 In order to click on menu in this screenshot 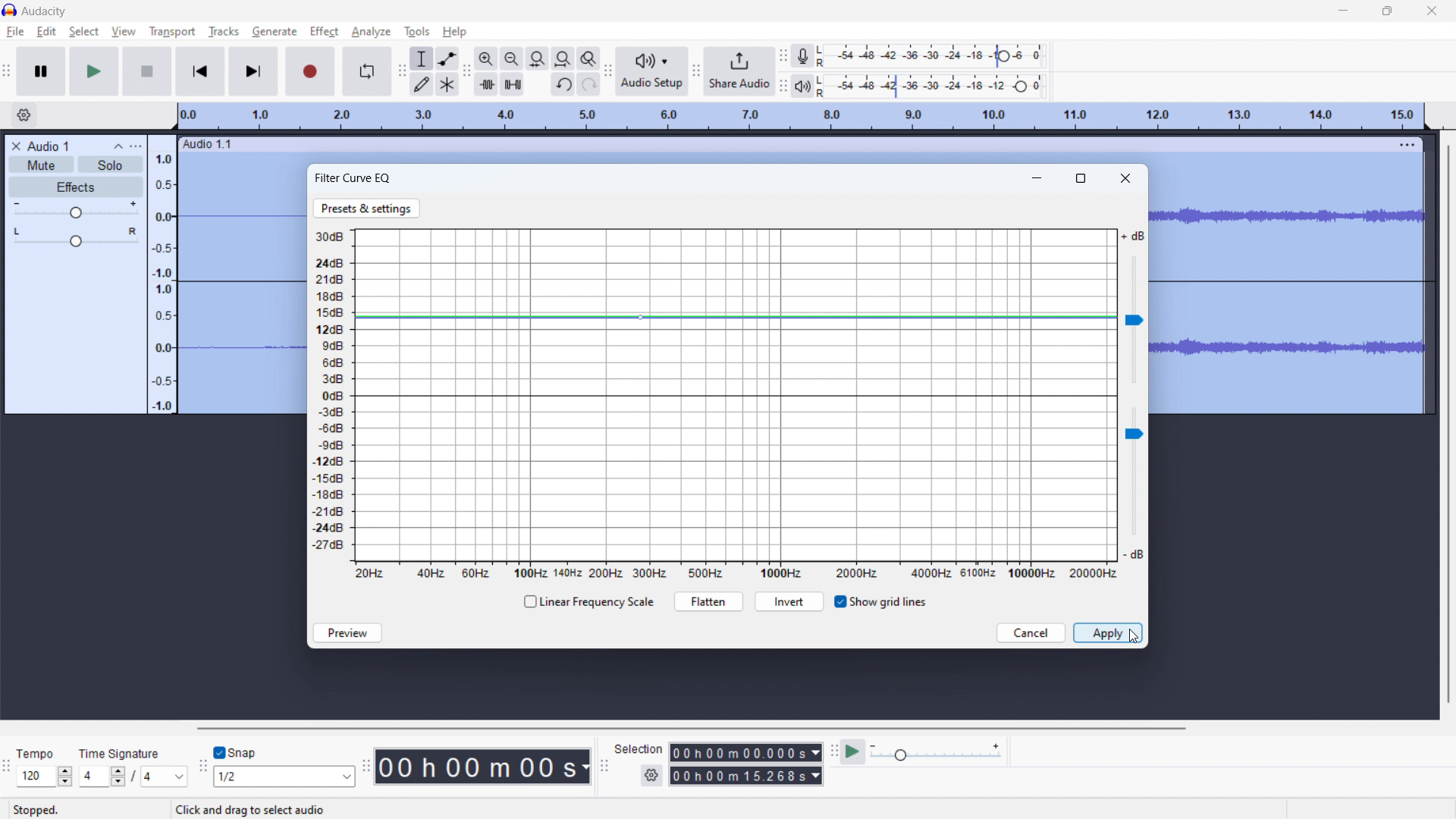, I will do `click(1407, 144)`.